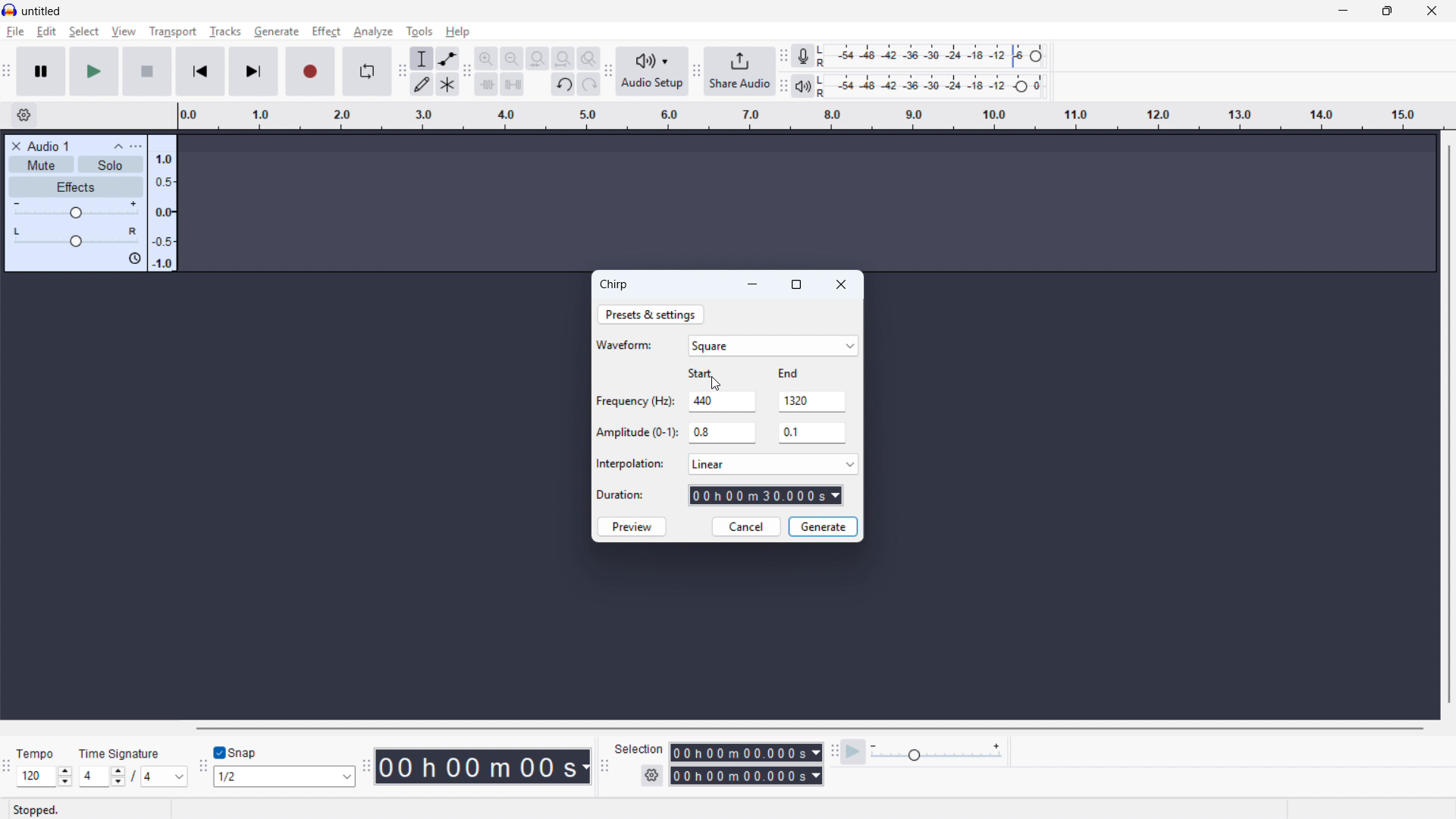 This screenshot has height=819, width=1456. What do you see at coordinates (135, 146) in the screenshot?
I see `Track control panel menu ` at bounding box center [135, 146].